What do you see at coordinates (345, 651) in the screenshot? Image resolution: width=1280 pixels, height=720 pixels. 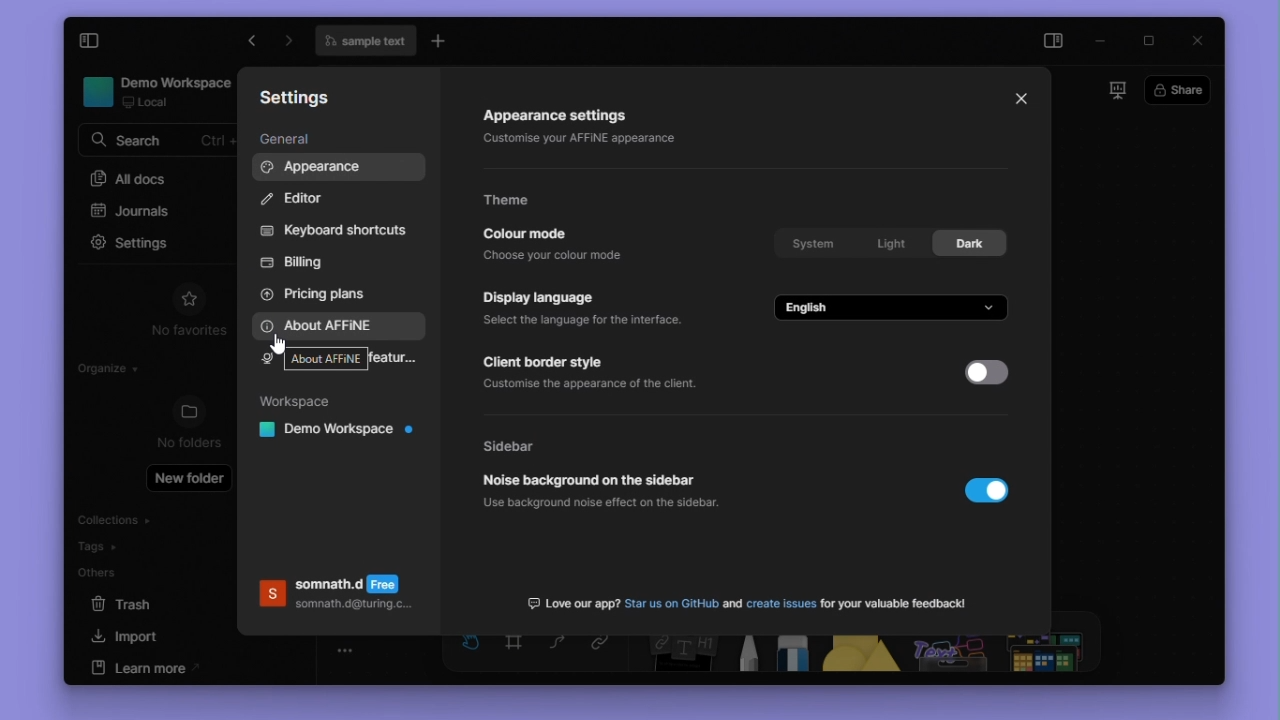 I see `toogle zoom bar` at bounding box center [345, 651].